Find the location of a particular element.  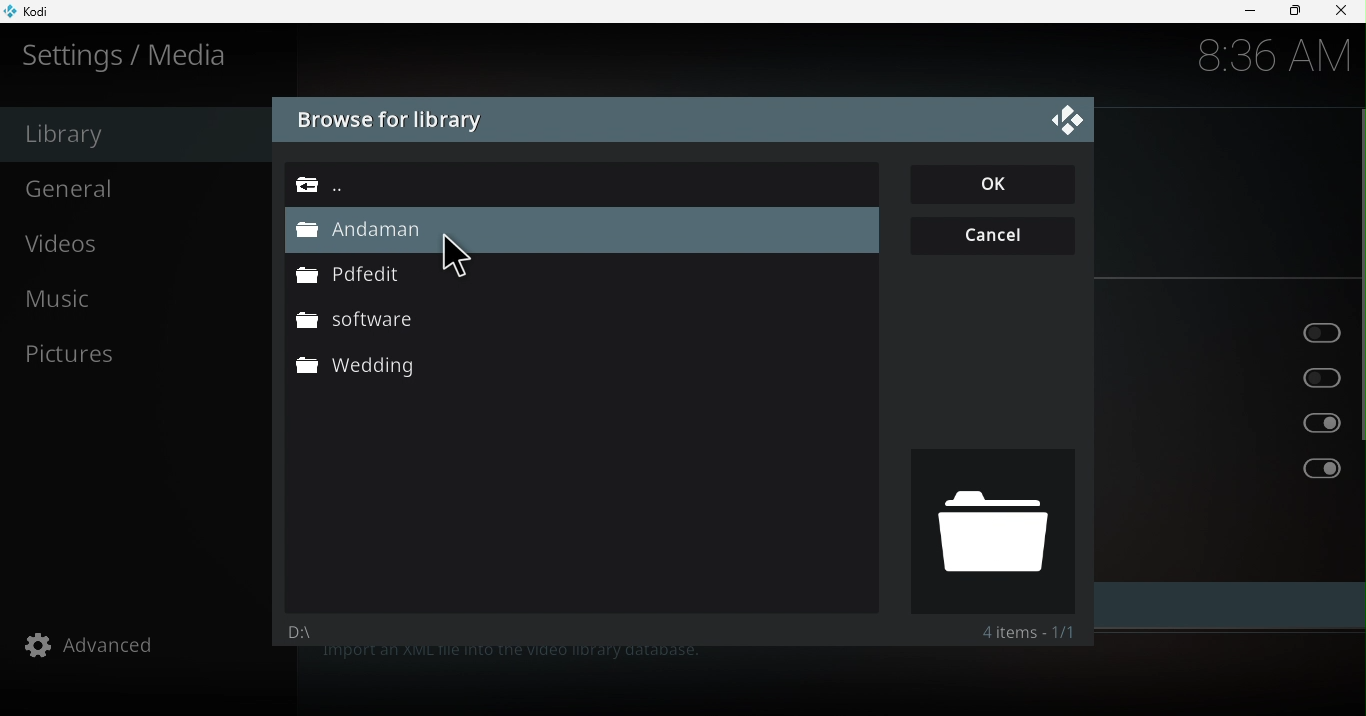

Ignore different video versions on scan is located at coordinates (1233, 423).